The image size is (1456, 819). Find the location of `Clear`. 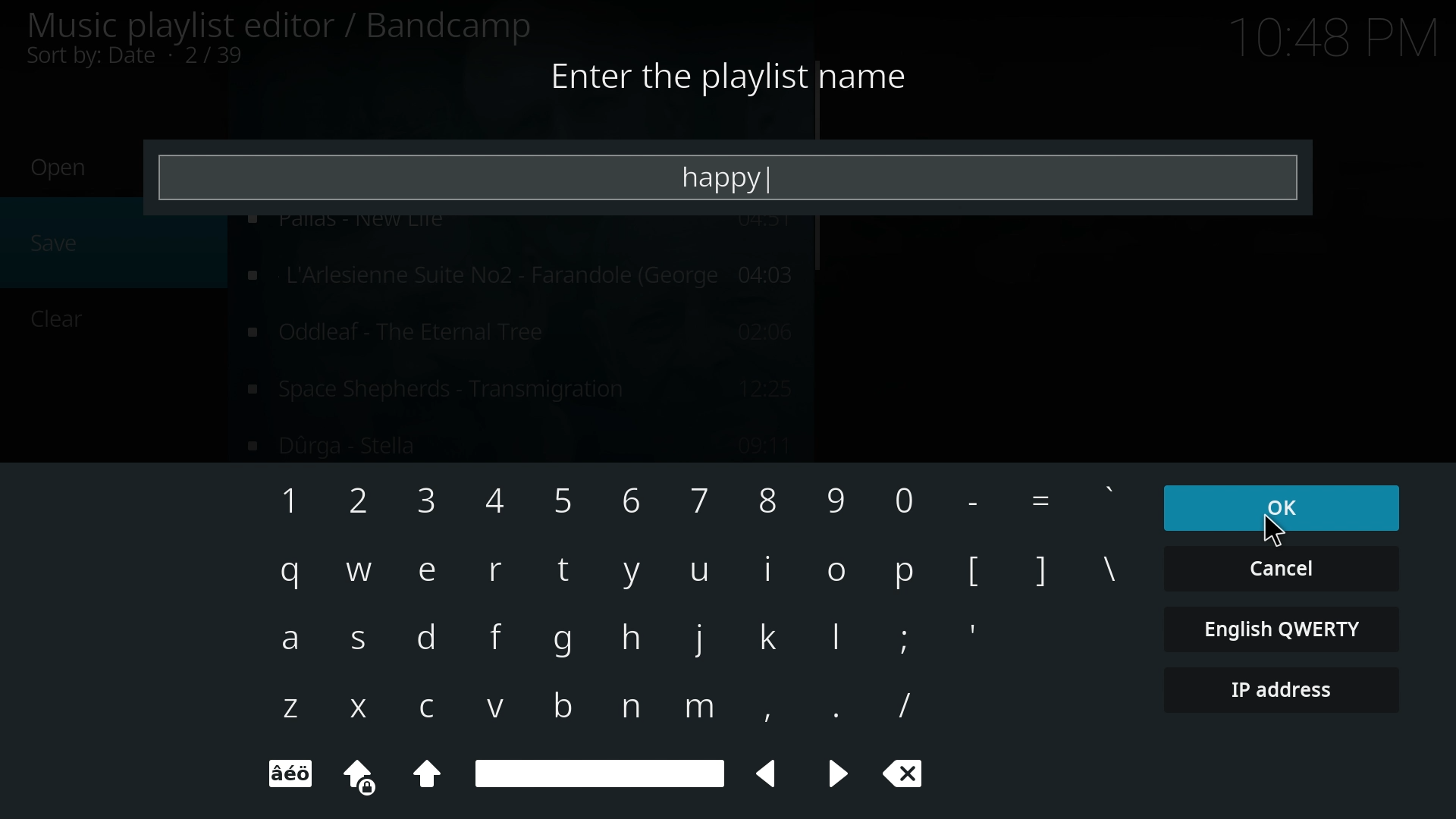

Clear is located at coordinates (61, 321).